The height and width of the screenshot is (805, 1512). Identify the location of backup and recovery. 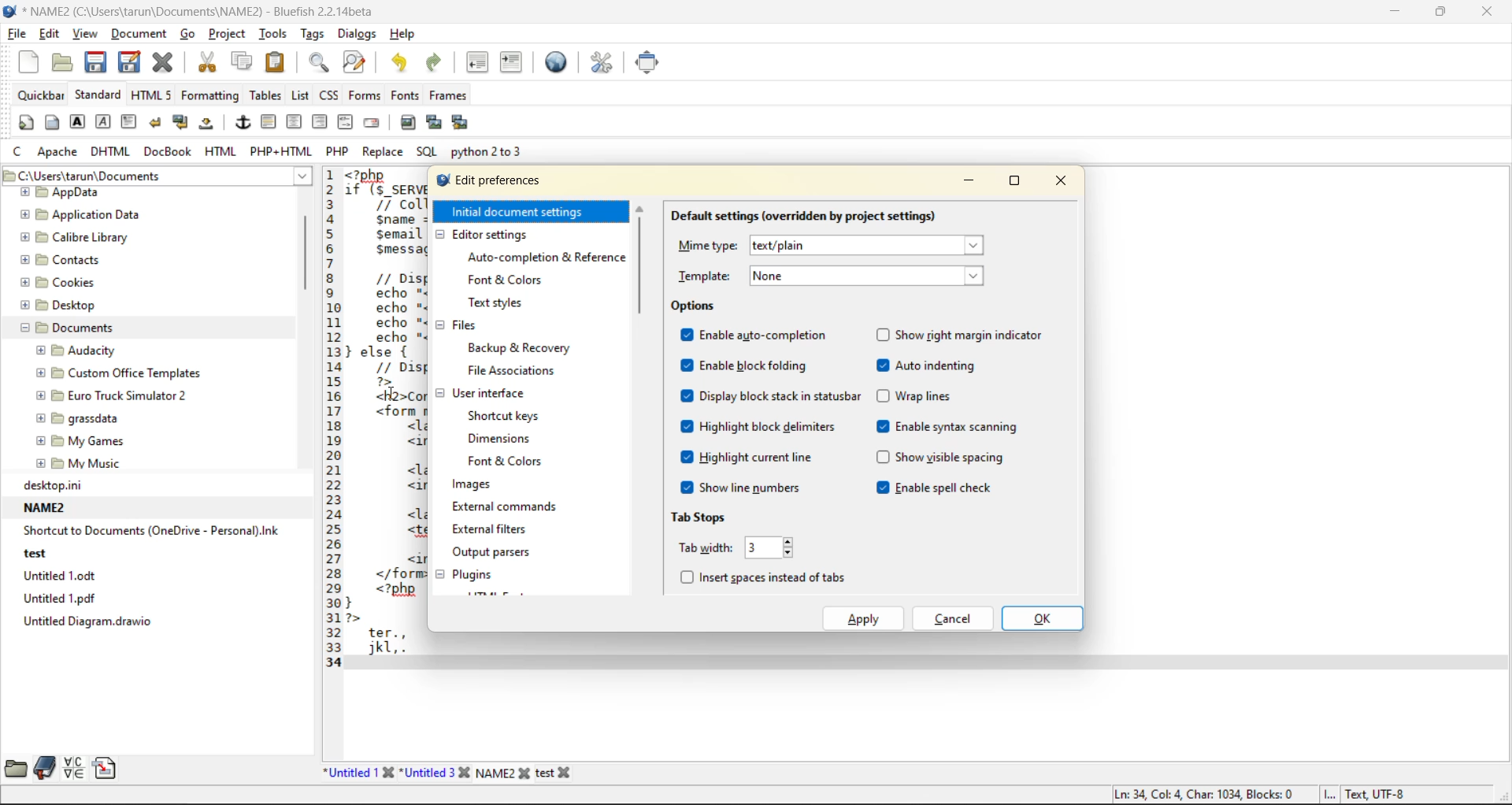
(524, 348).